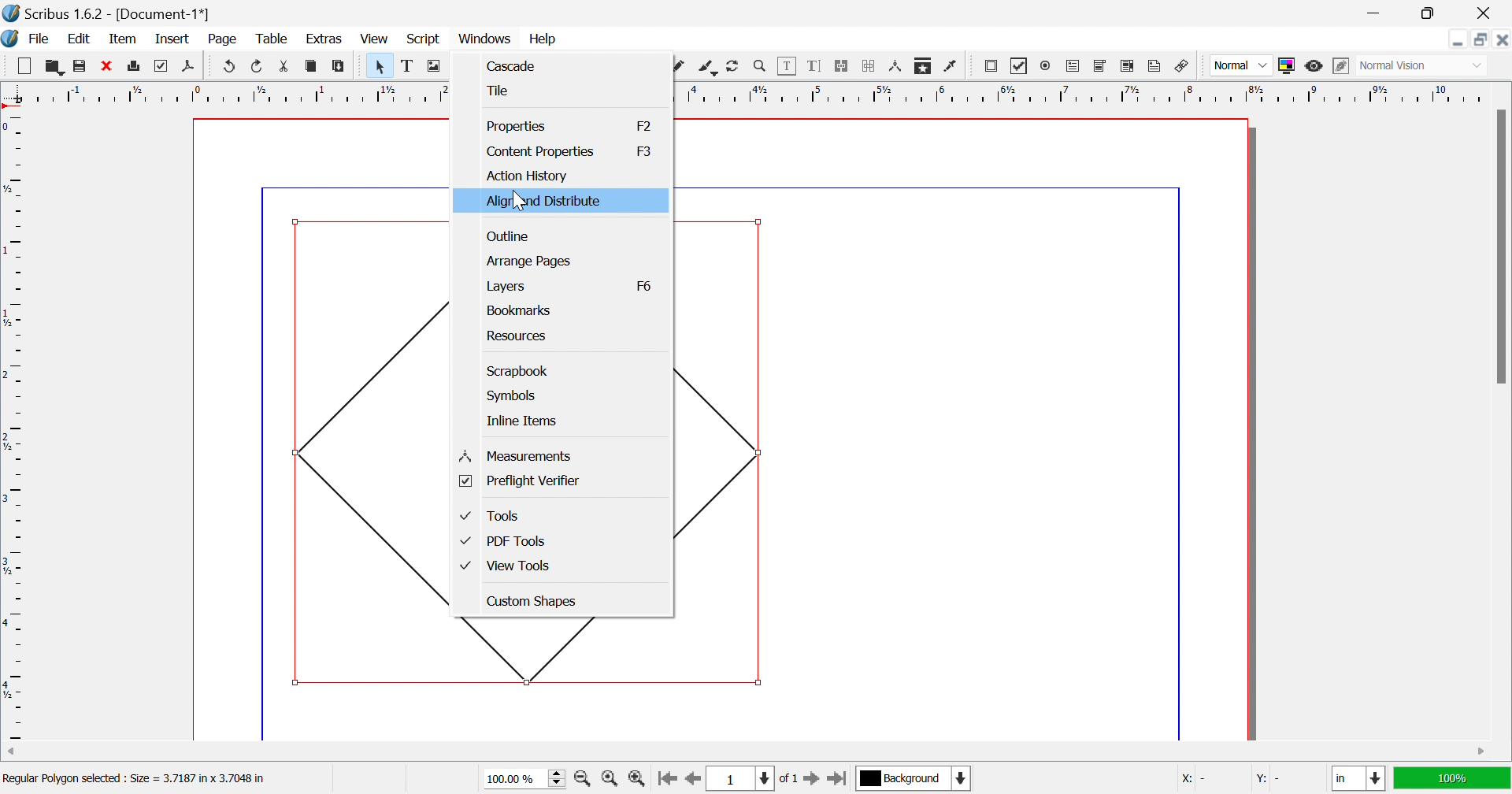 This screenshot has height=794, width=1512. What do you see at coordinates (787, 780) in the screenshot?
I see `of 1` at bounding box center [787, 780].